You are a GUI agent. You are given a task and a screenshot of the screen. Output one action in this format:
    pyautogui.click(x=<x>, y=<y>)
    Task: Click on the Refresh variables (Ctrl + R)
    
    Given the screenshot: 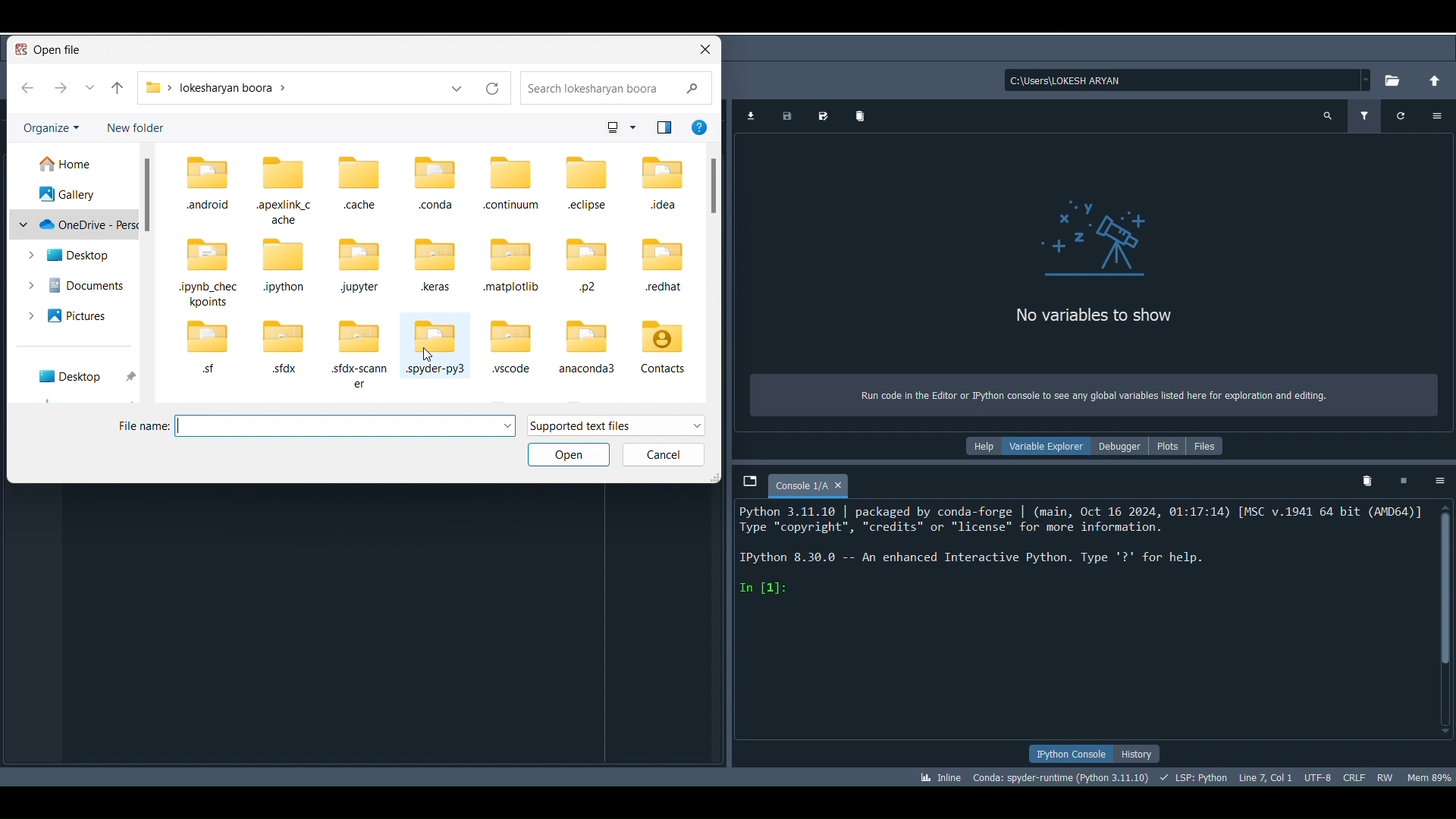 What is the action you would take?
    pyautogui.click(x=1397, y=117)
    